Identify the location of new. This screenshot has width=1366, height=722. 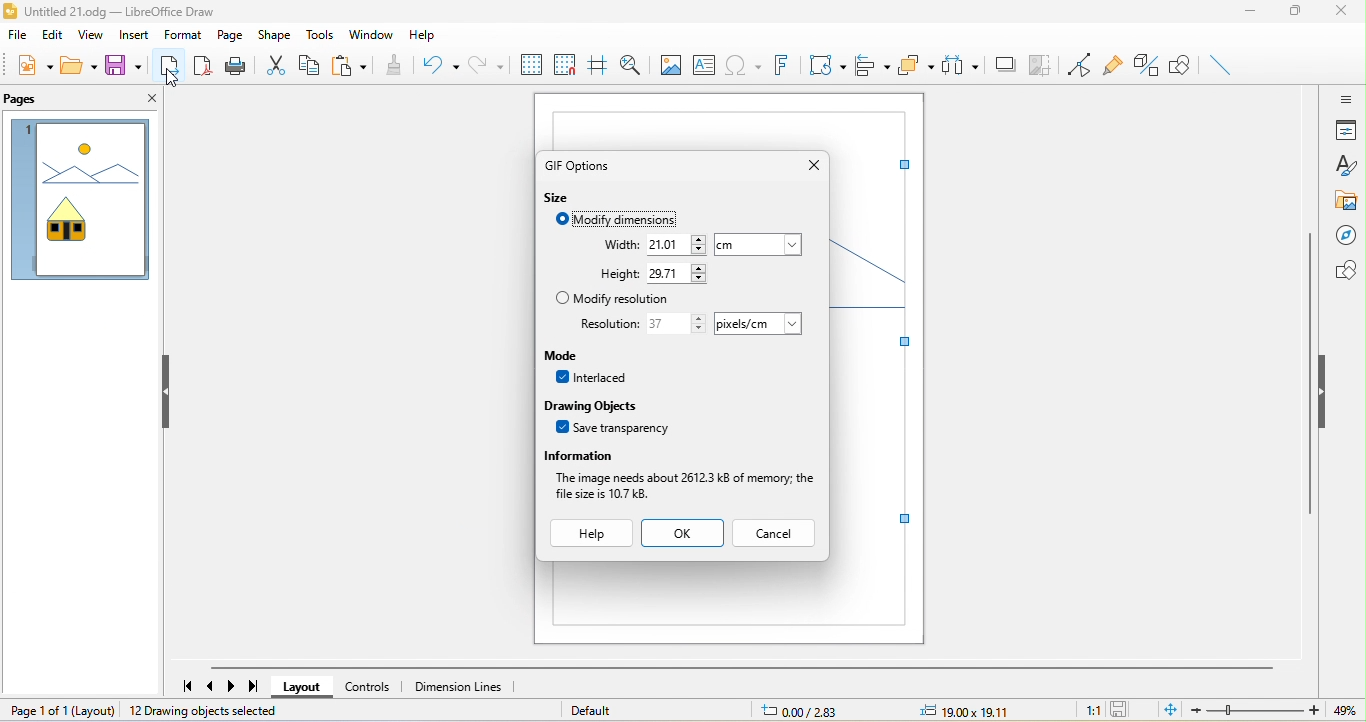
(34, 65).